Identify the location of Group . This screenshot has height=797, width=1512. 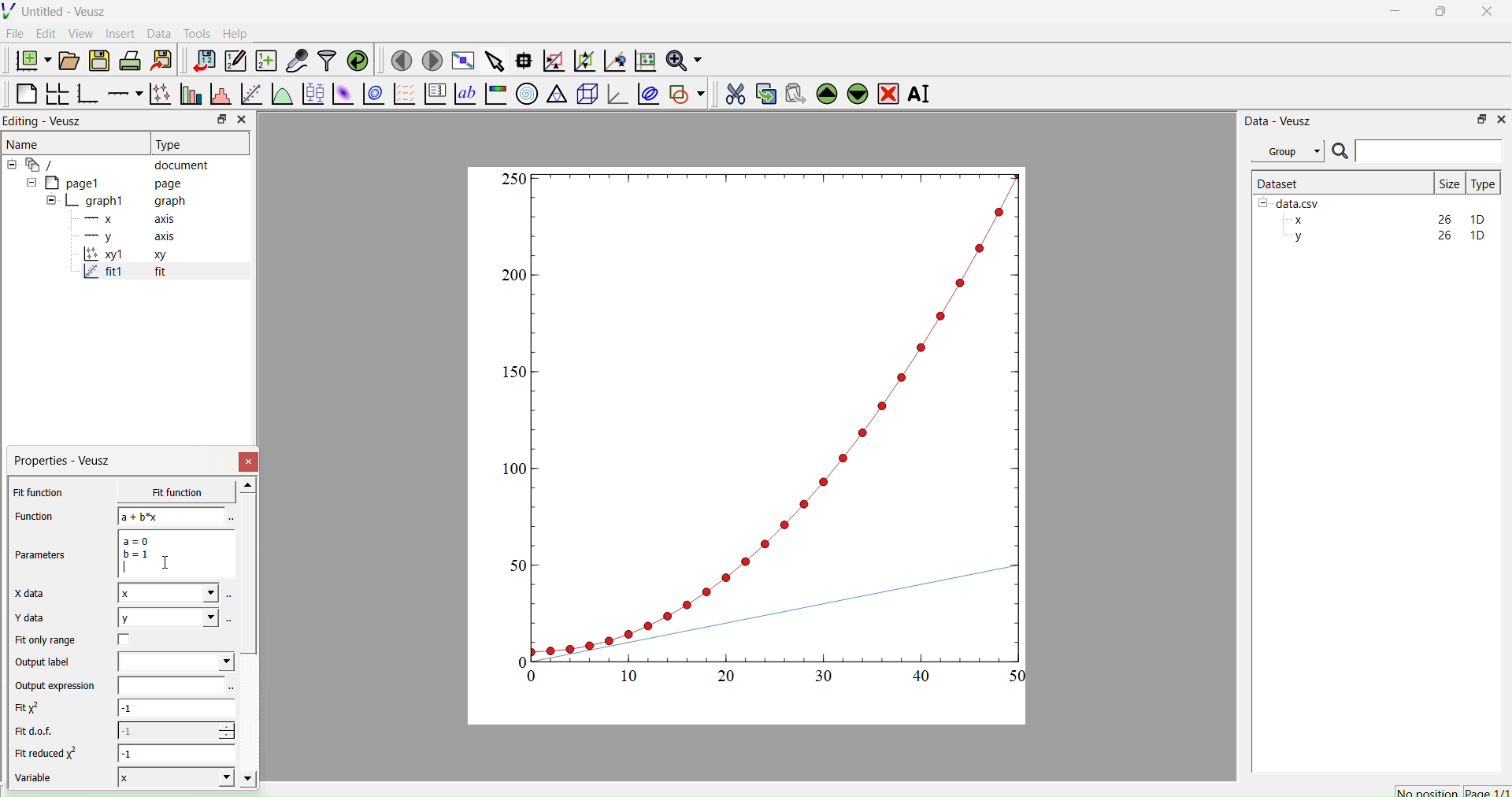
(1287, 151).